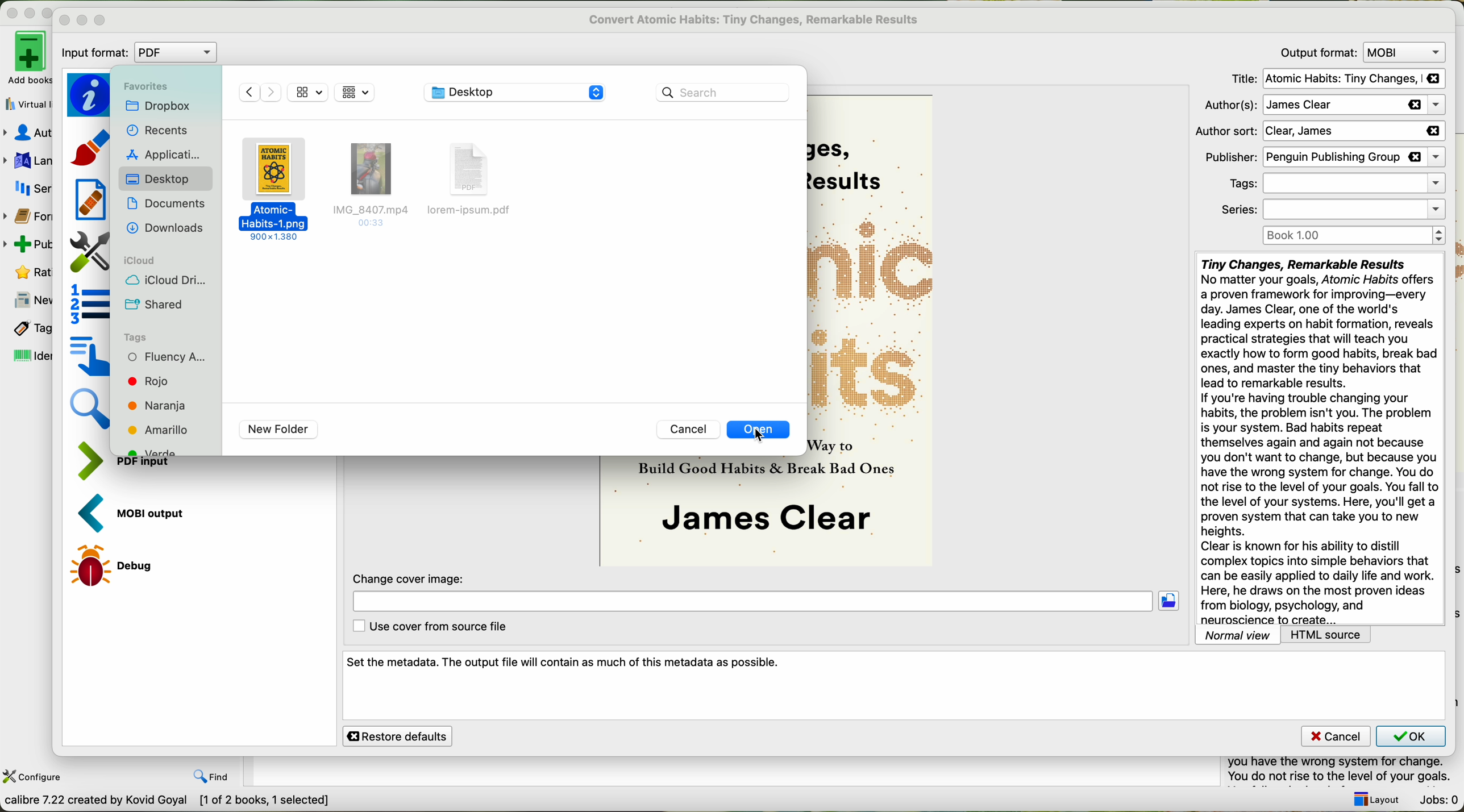 The width and height of the screenshot is (1464, 812). What do you see at coordinates (260, 92) in the screenshot?
I see `navigate arrows` at bounding box center [260, 92].